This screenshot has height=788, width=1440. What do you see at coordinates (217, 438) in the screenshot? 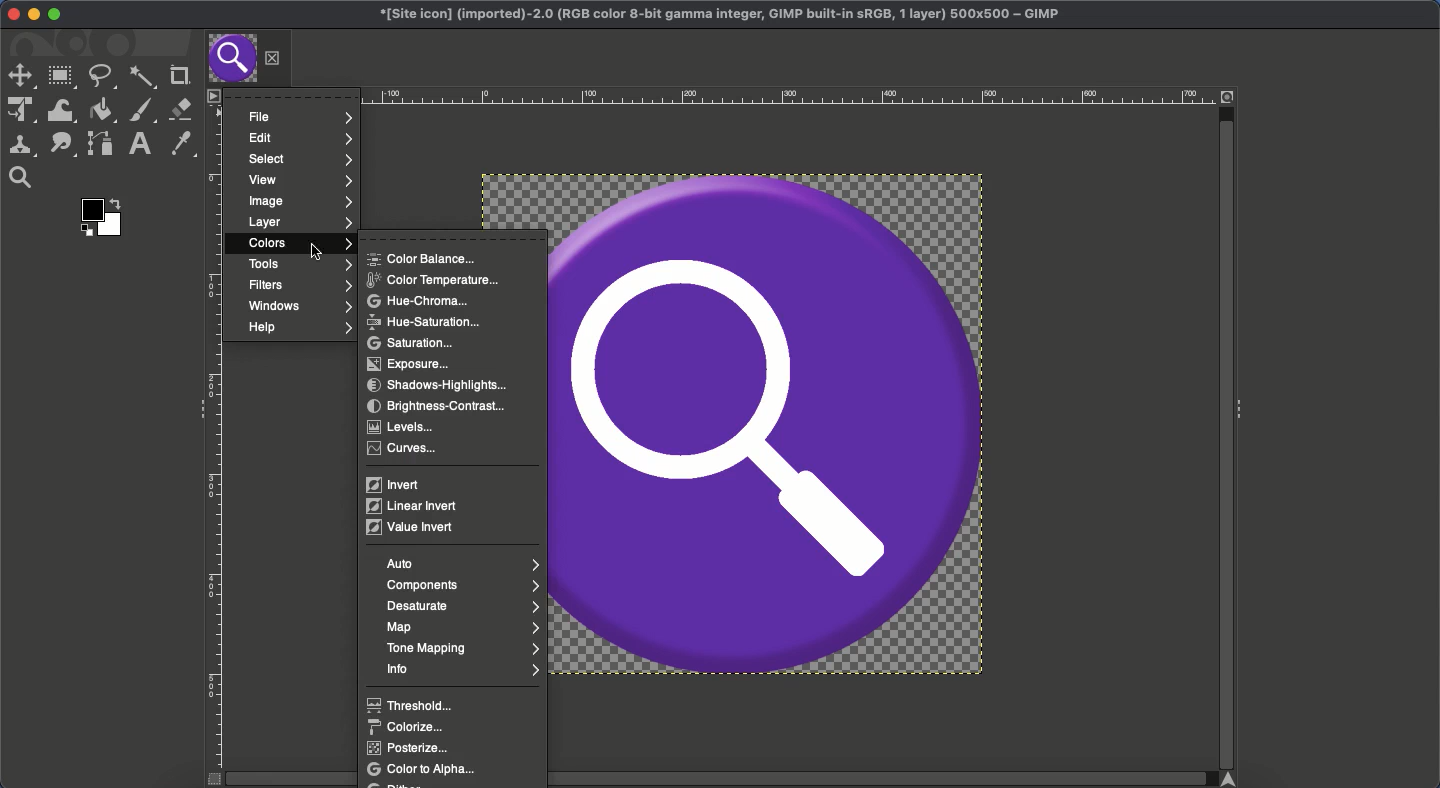
I see `Ruler` at bounding box center [217, 438].